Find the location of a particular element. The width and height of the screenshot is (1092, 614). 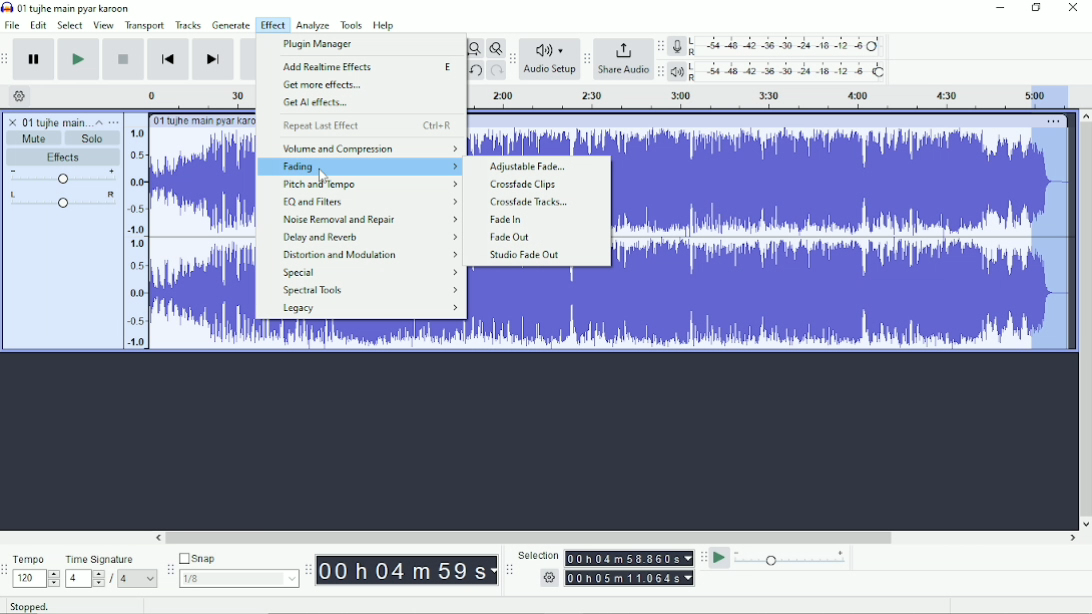

Crossfade Tracks is located at coordinates (533, 202).